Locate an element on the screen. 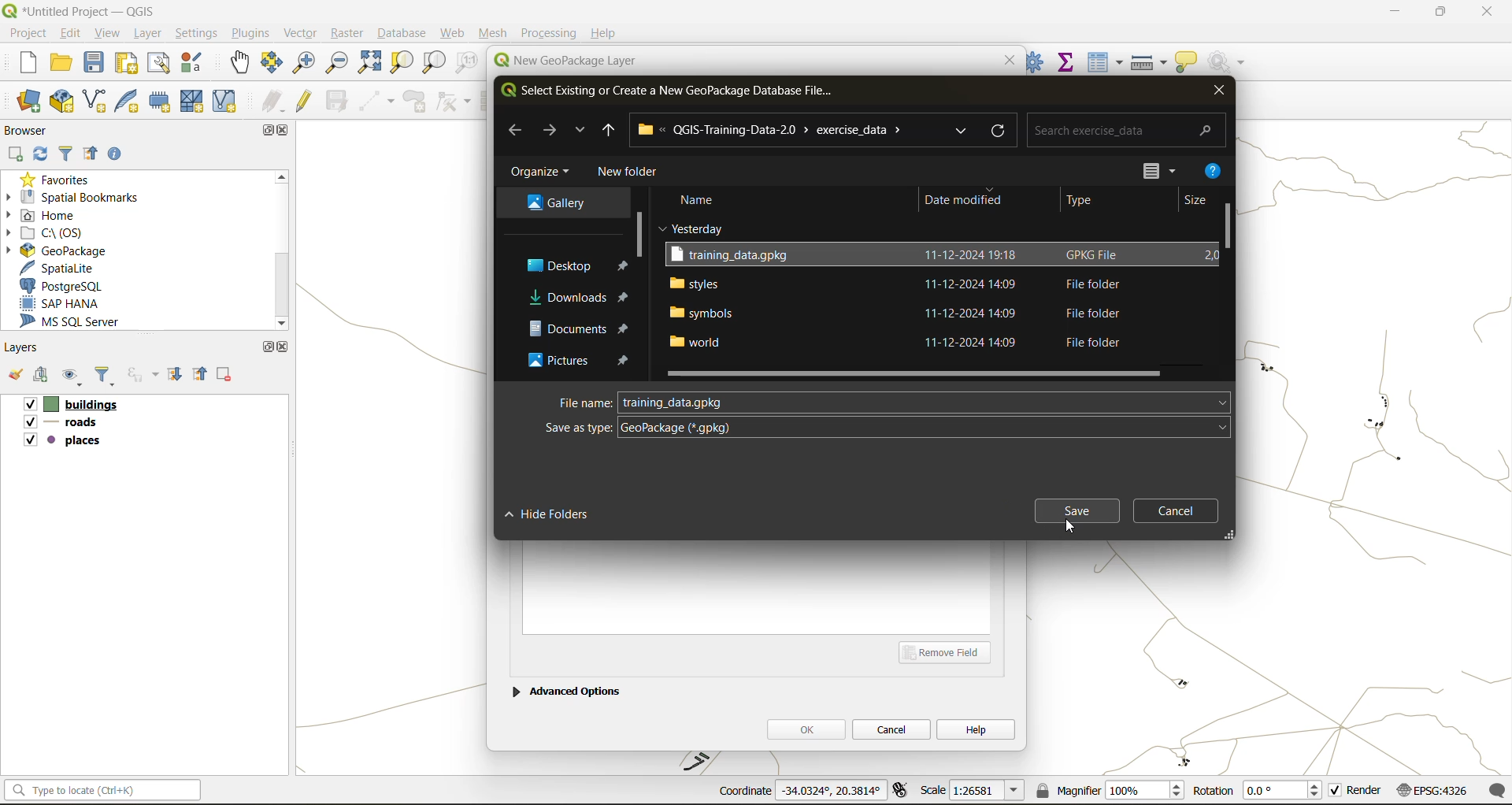 Image resolution: width=1512 pixels, height=805 pixels. close is located at coordinates (1479, 13).